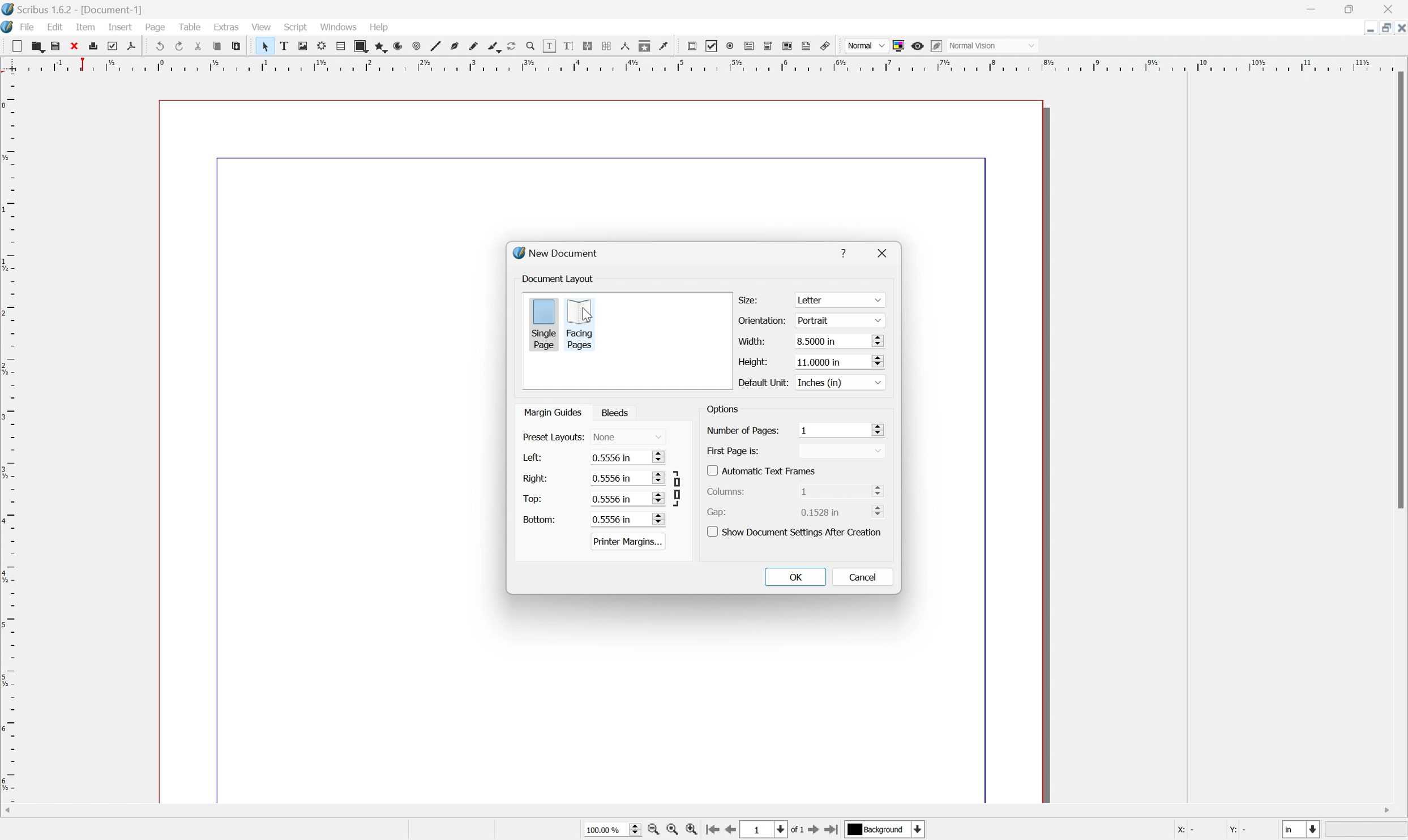 Image resolution: width=1408 pixels, height=840 pixels. I want to click on Calligraphic view, so click(491, 46).